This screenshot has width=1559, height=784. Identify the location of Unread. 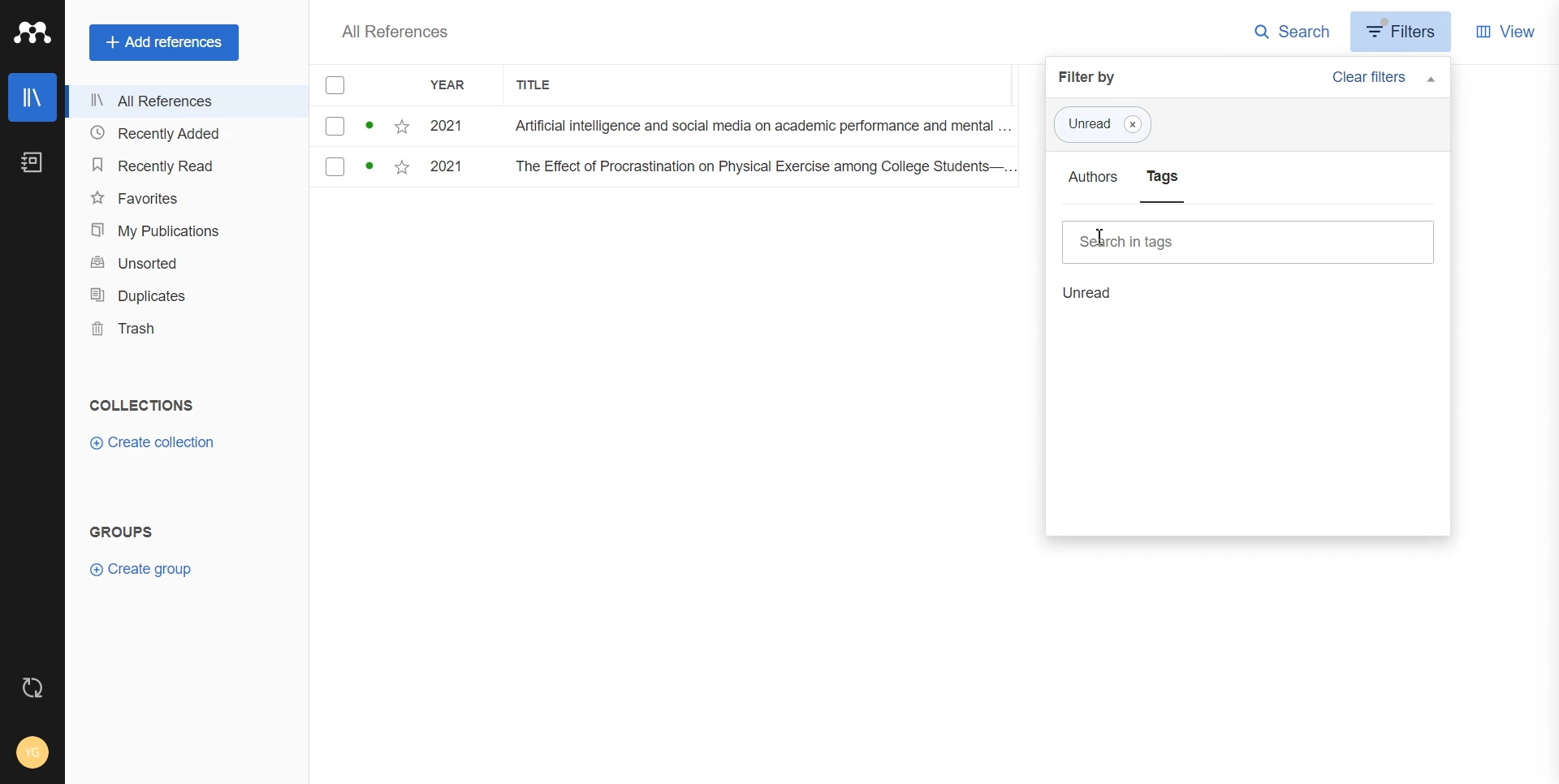
(1096, 291).